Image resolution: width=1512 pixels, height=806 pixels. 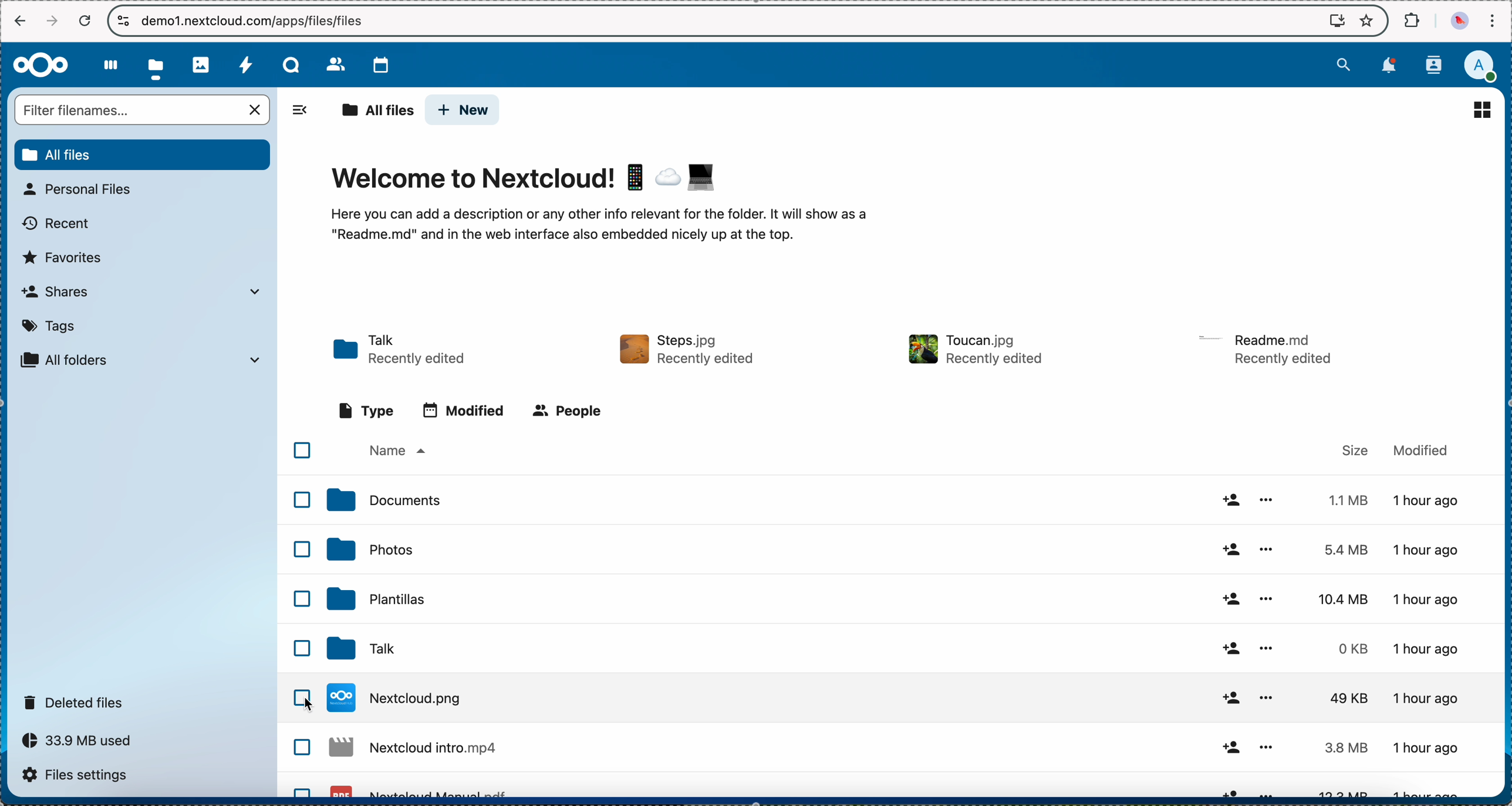 What do you see at coordinates (889, 698) in the screenshot?
I see `click on Nextcloud.jpg` at bounding box center [889, 698].